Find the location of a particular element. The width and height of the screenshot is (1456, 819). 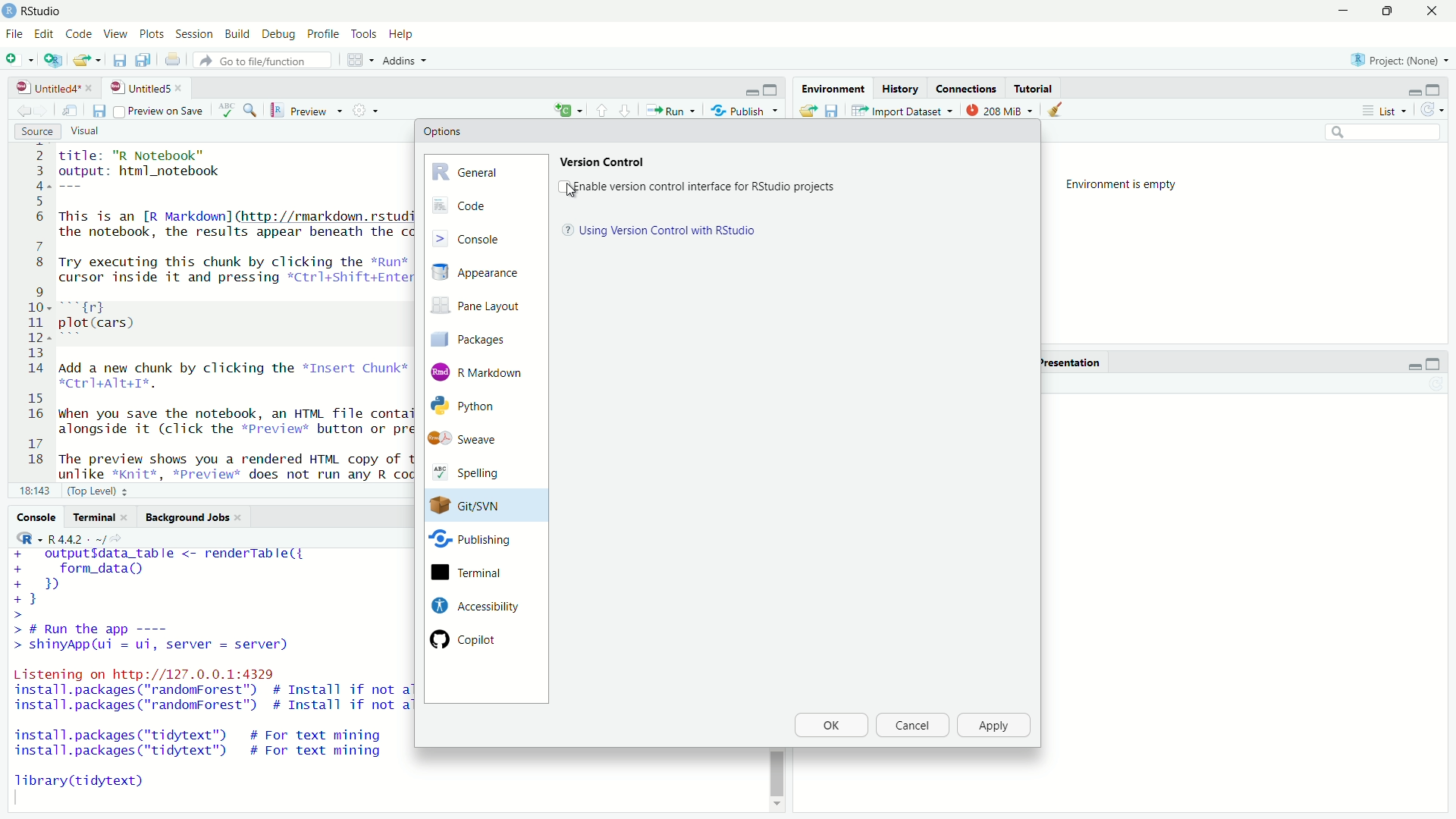

Terminal is located at coordinates (472, 573).